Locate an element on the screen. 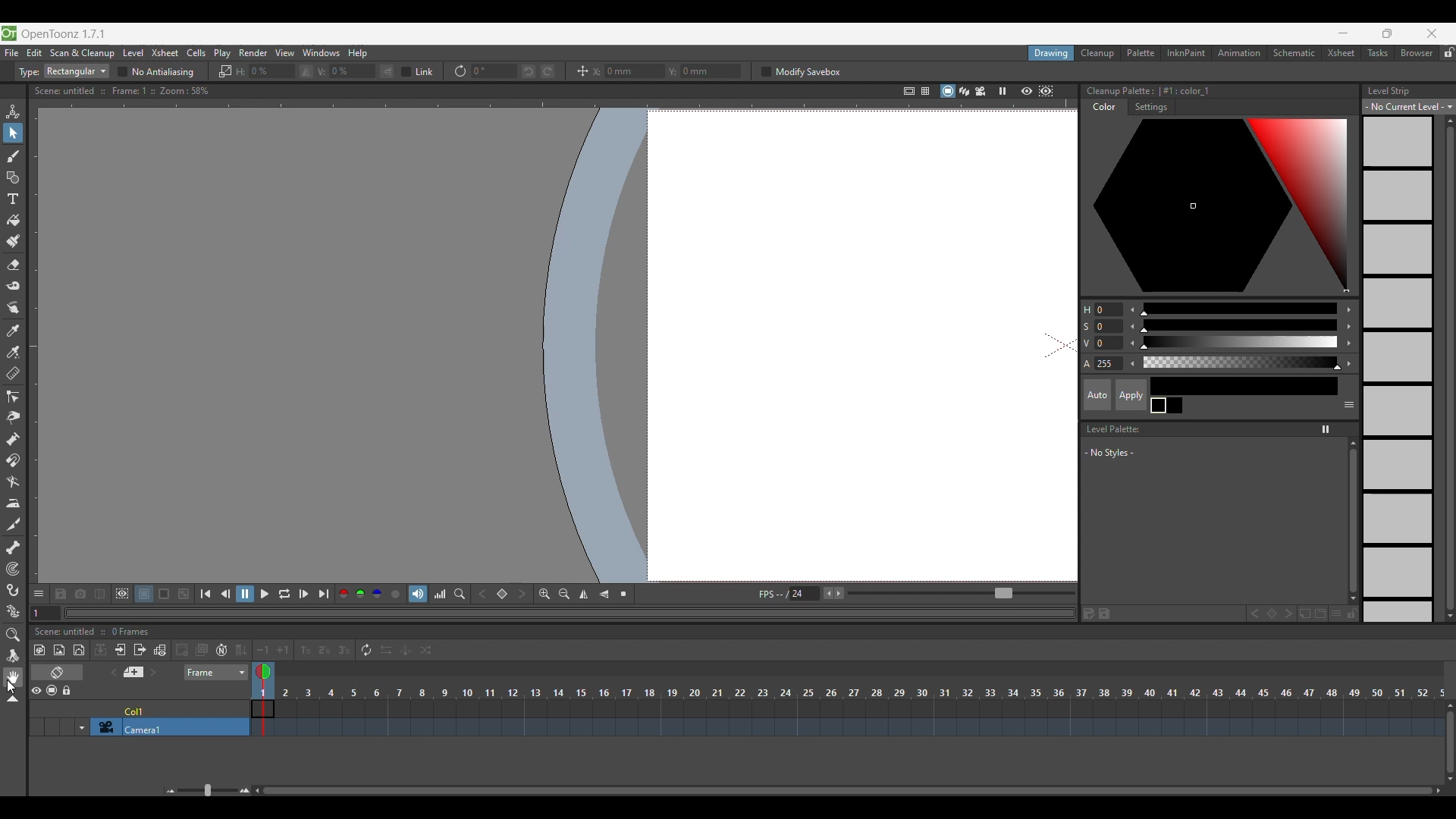 This screenshot has height=819, width=1456. Lock palette inputs is located at coordinates (1352, 613).